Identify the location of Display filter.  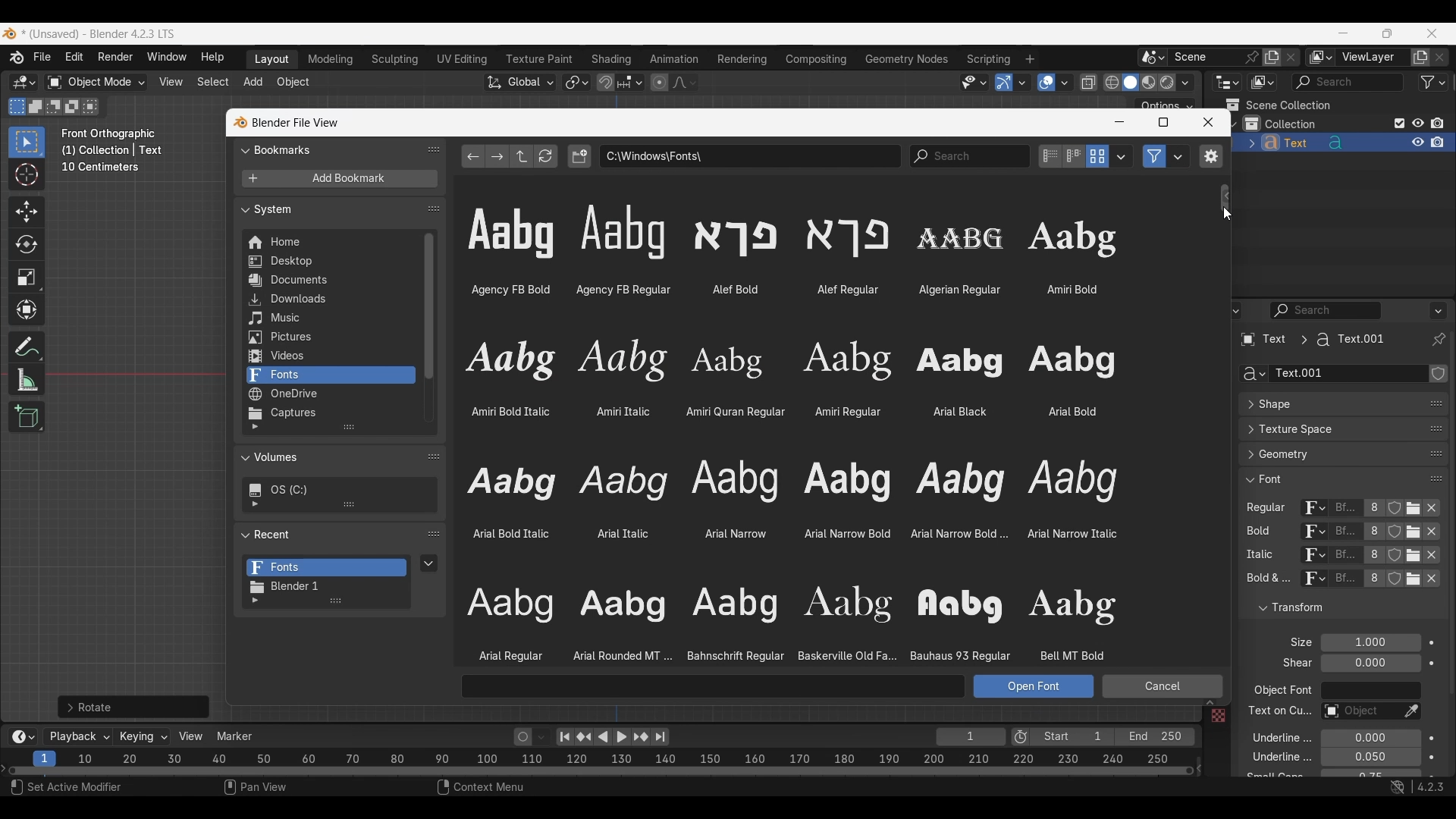
(1348, 82).